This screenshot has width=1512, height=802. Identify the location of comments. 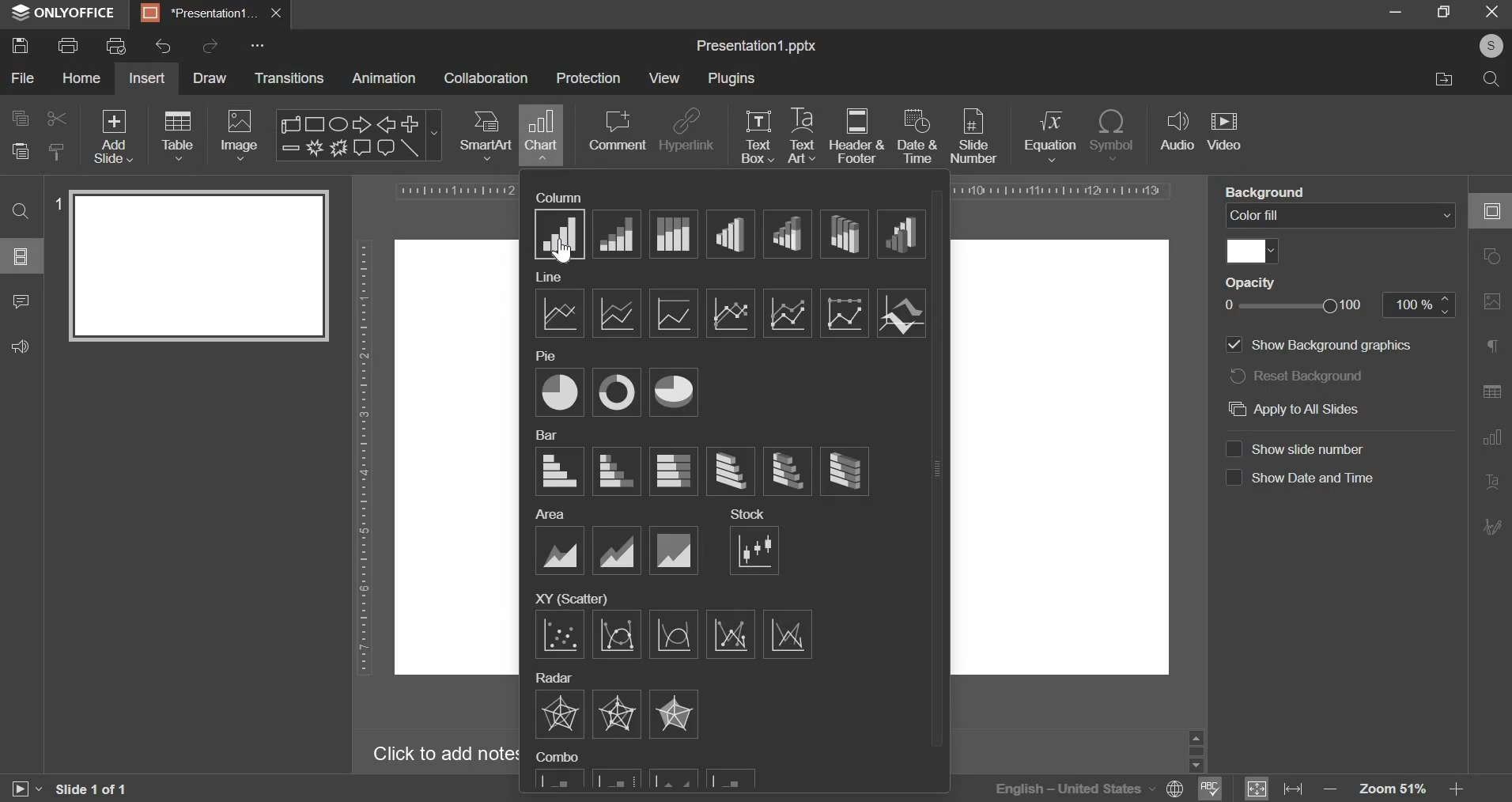
(20, 301).